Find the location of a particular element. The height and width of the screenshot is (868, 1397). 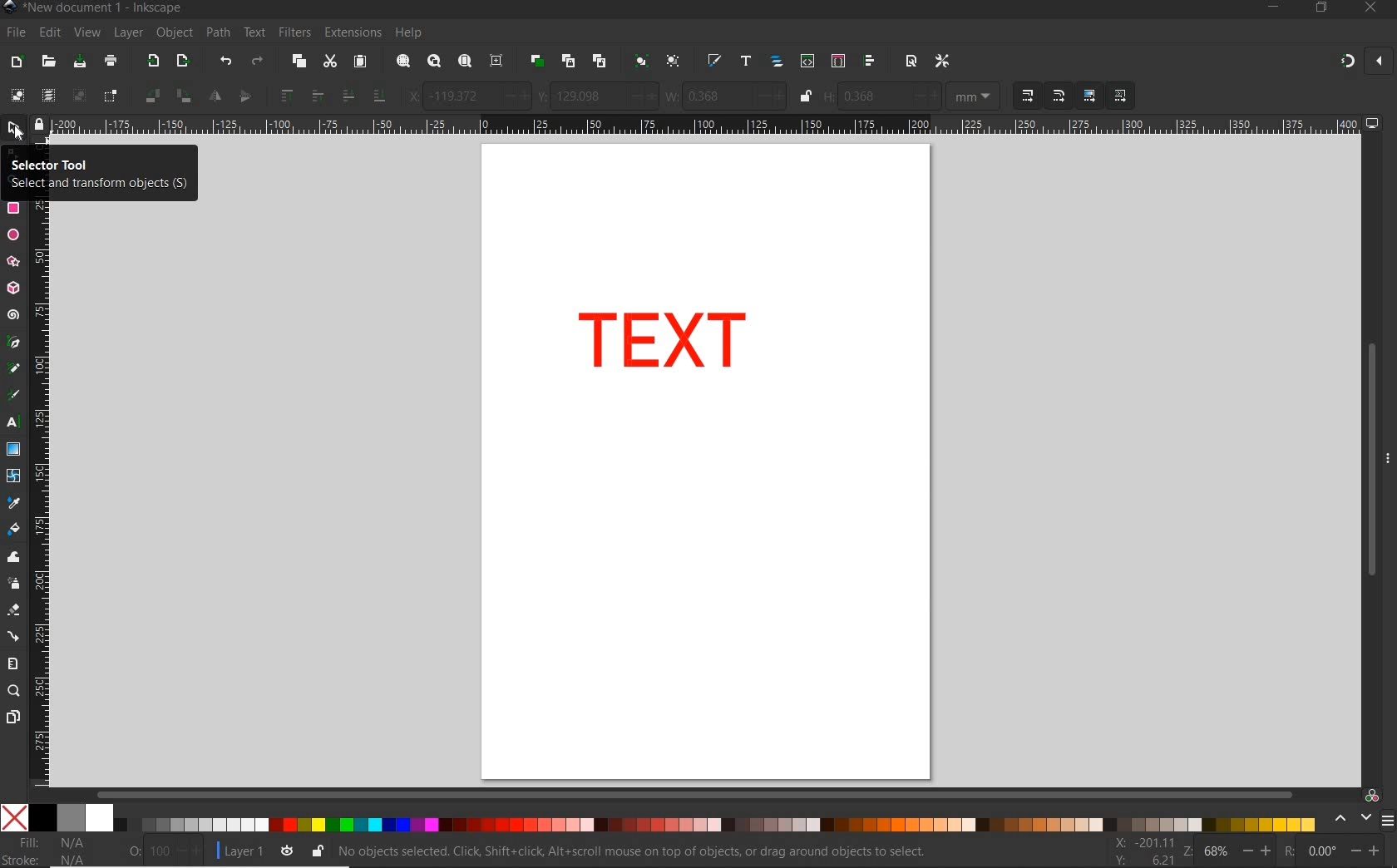

ELLIPSE TOOL is located at coordinates (14, 236).